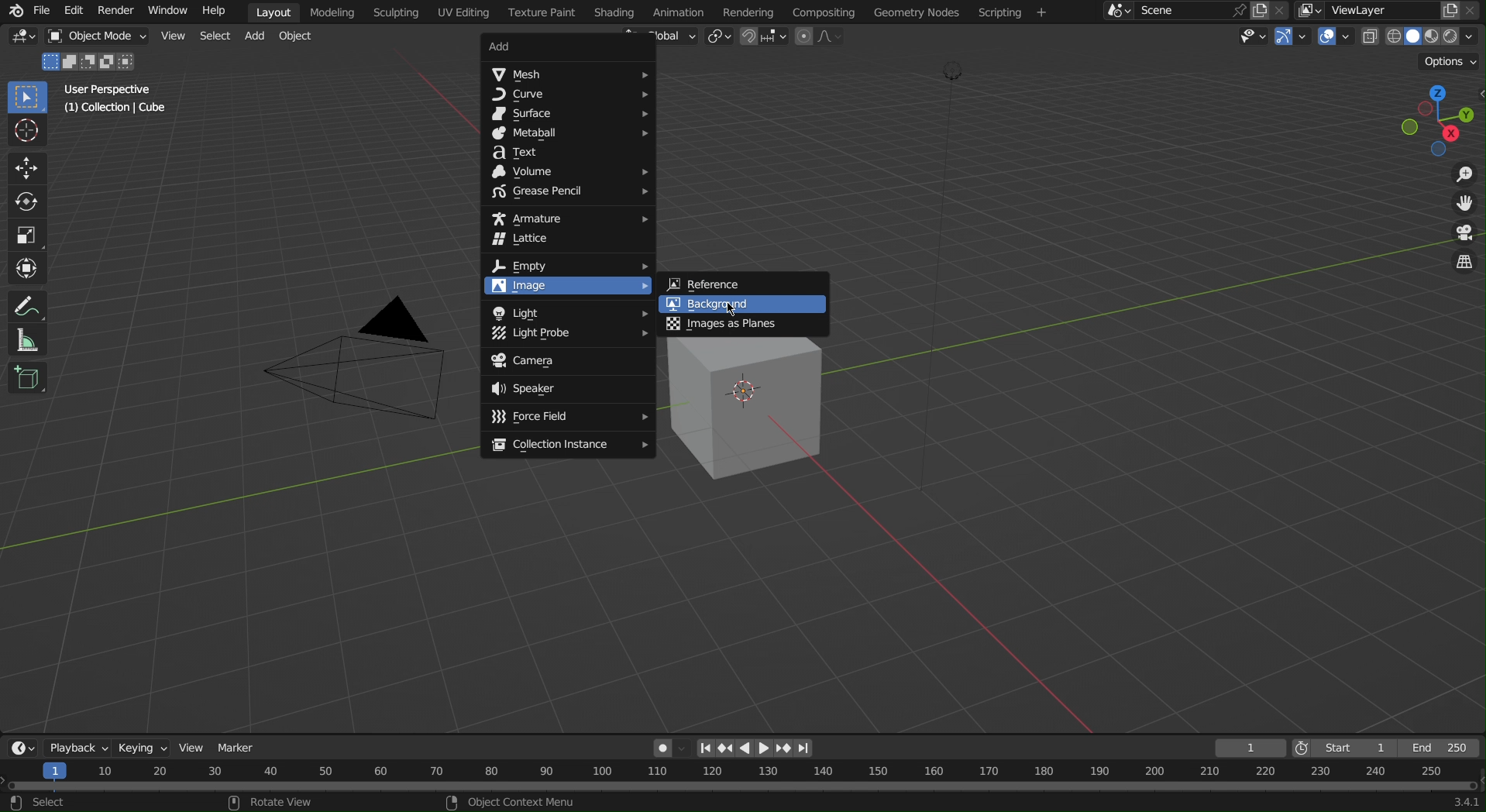 The height and width of the screenshot is (812, 1486). I want to click on 1, so click(1252, 746).